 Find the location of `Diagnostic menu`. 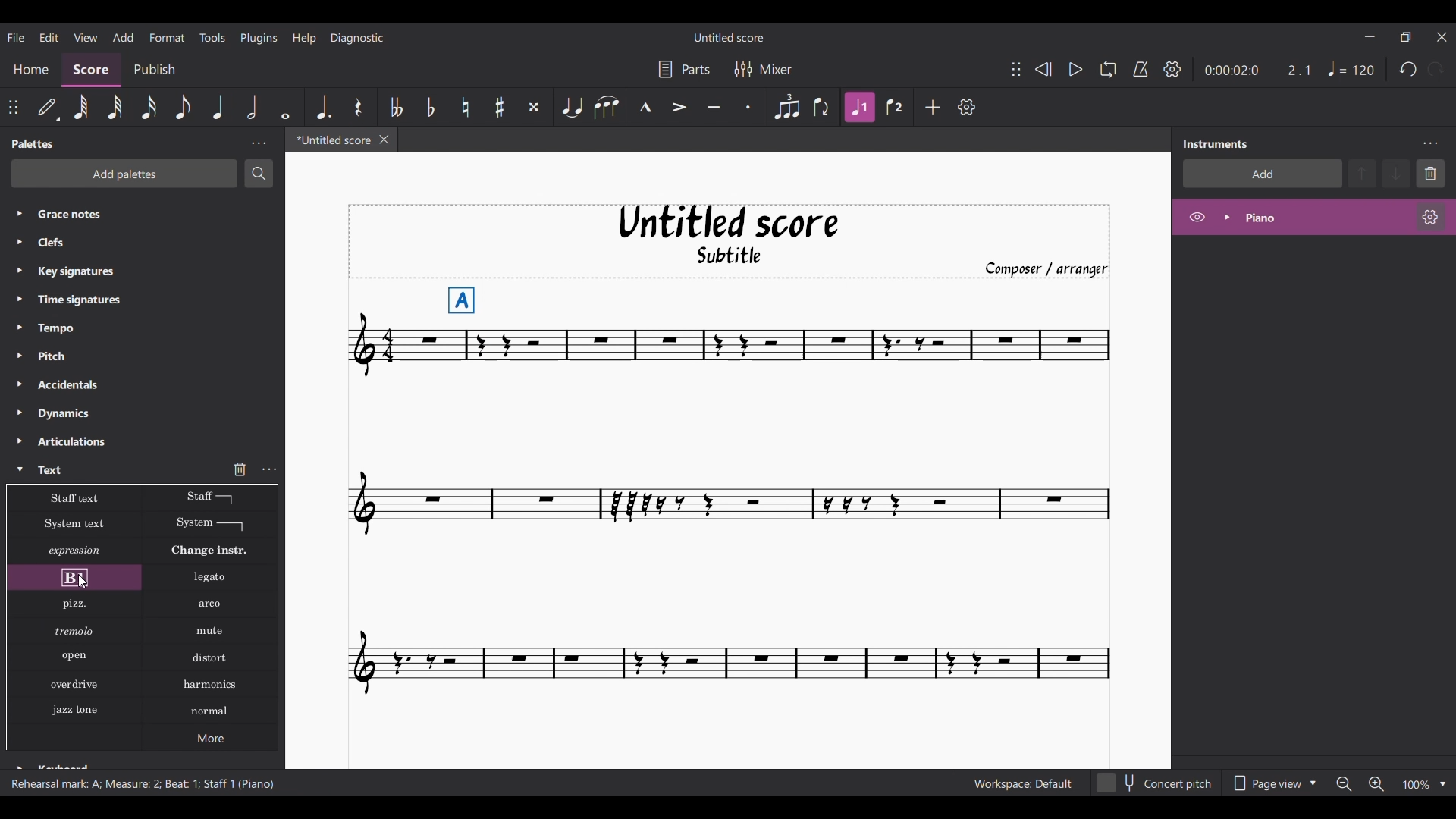

Diagnostic menu is located at coordinates (357, 38).